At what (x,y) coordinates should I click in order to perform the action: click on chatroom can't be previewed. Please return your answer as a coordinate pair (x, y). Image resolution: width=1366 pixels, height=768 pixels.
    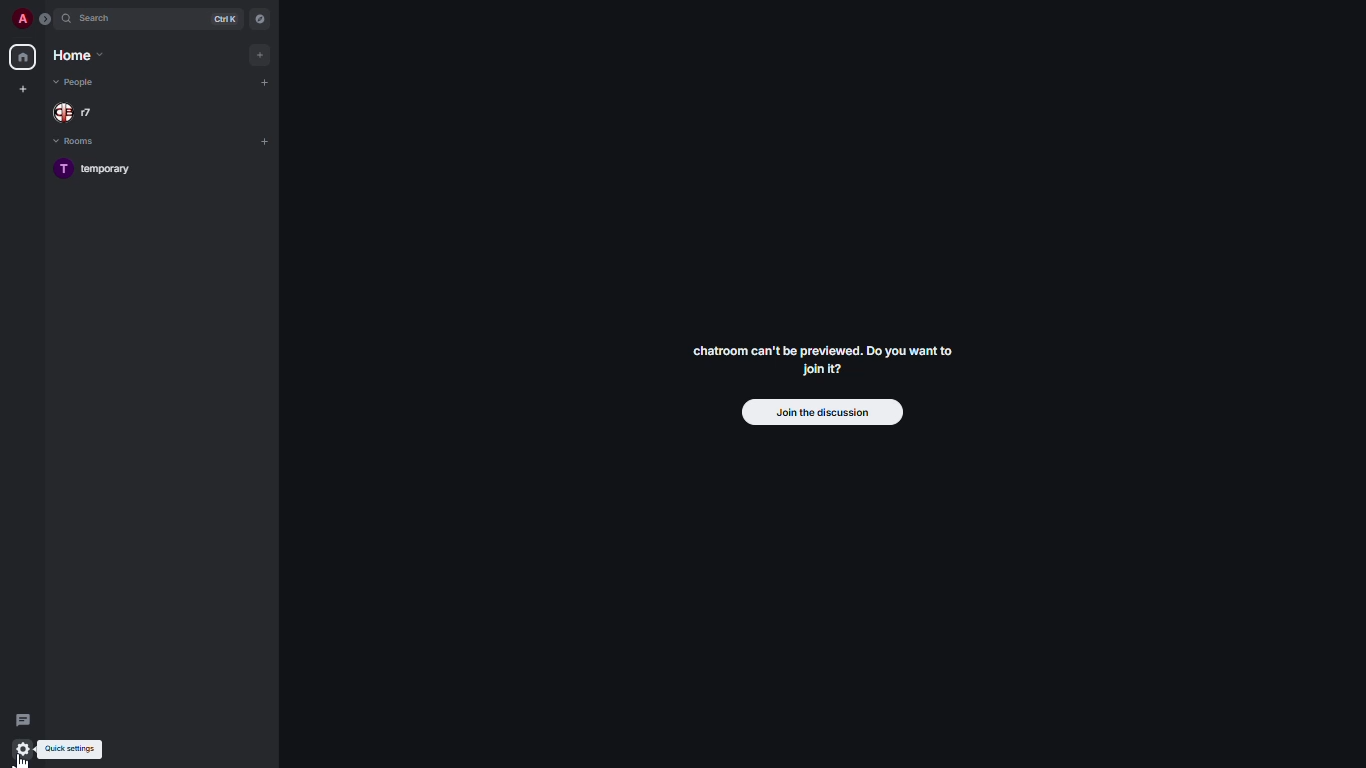
    Looking at the image, I should click on (821, 364).